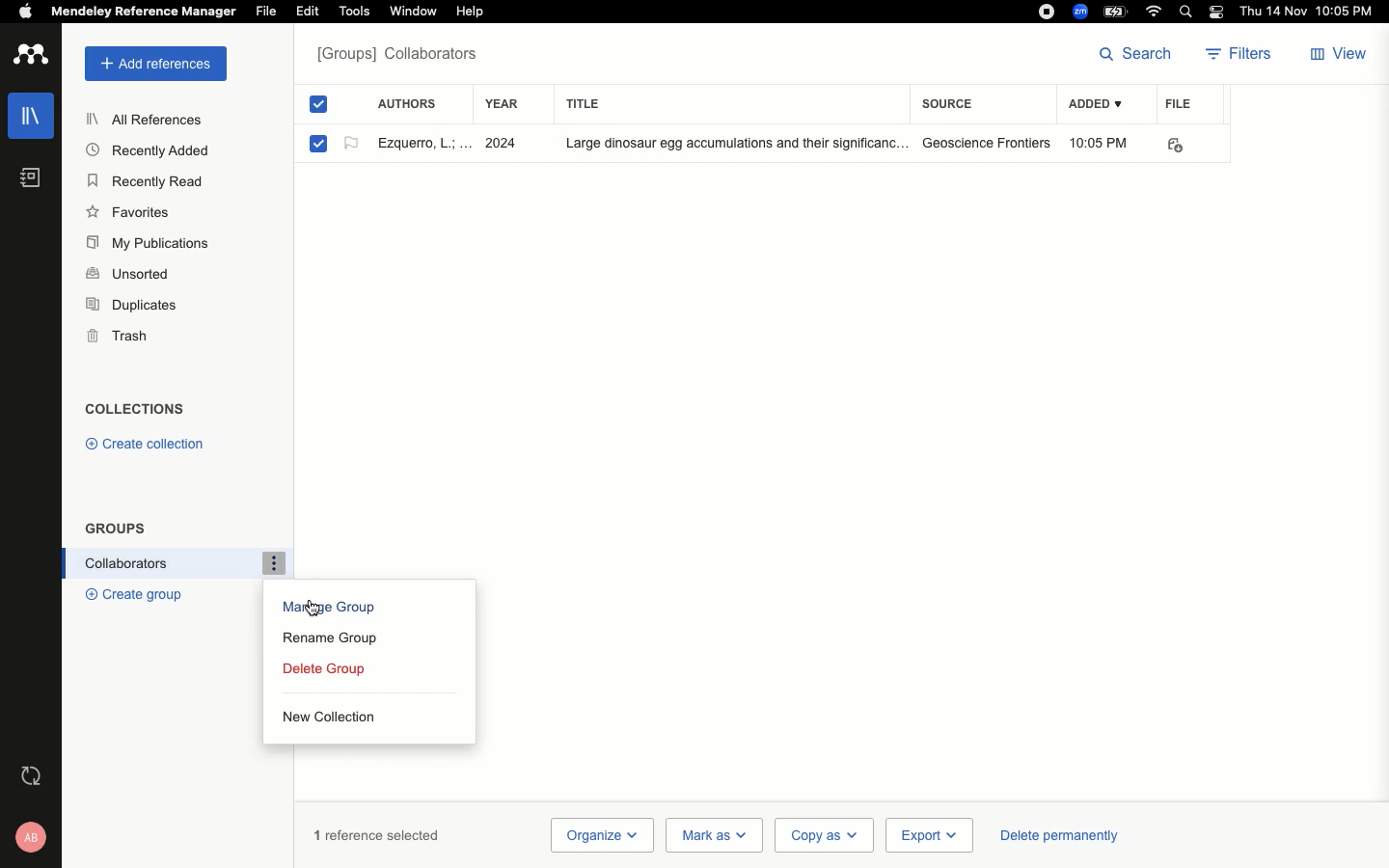 This screenshot has height=868, width=1389. I want to click on Internet, so click(1156, 12).